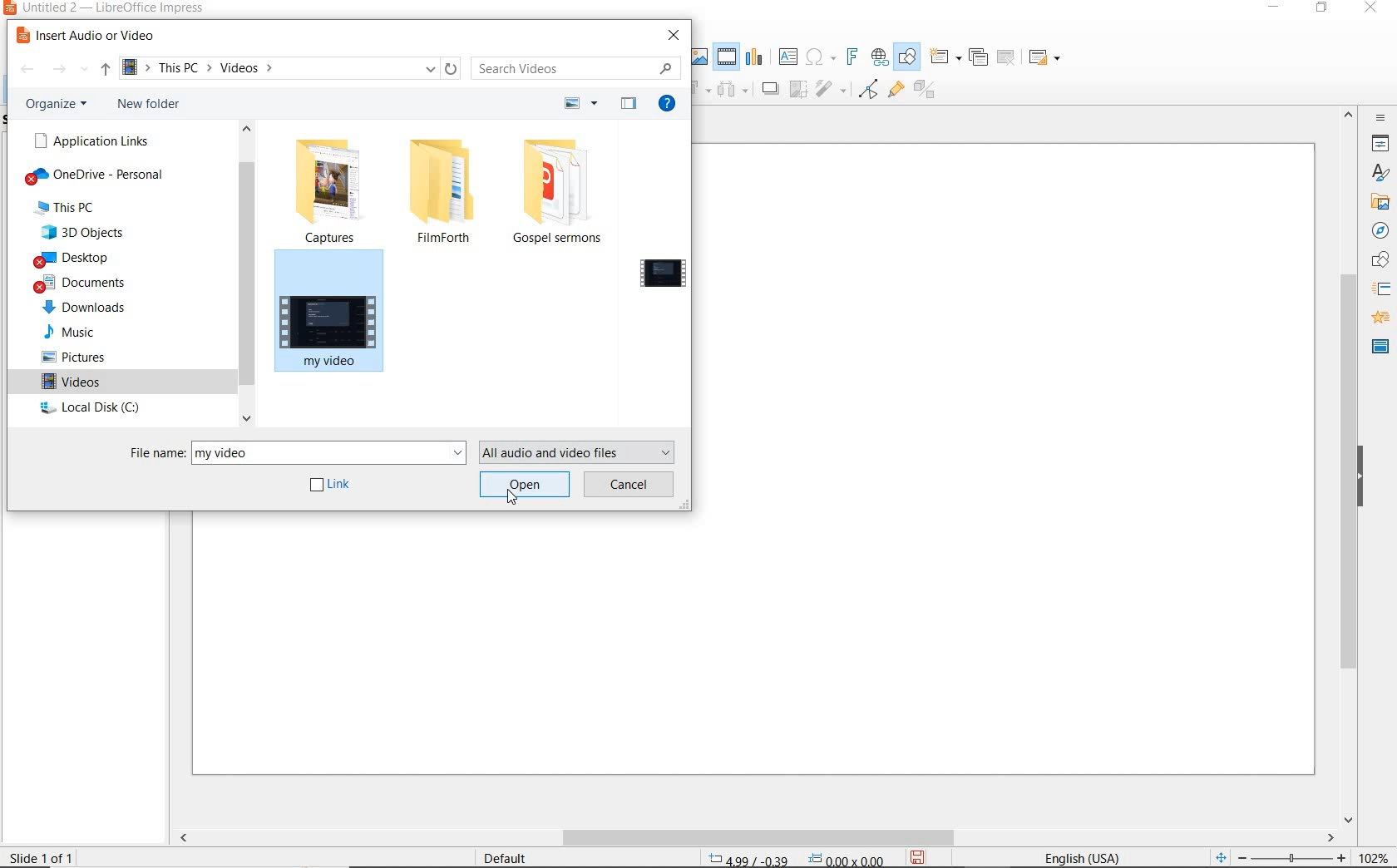 Image resolution: width=1397 pixels, height=868 pixels. I want to click on INSERT AUDIO OR VIDEO, so click(94, 36).